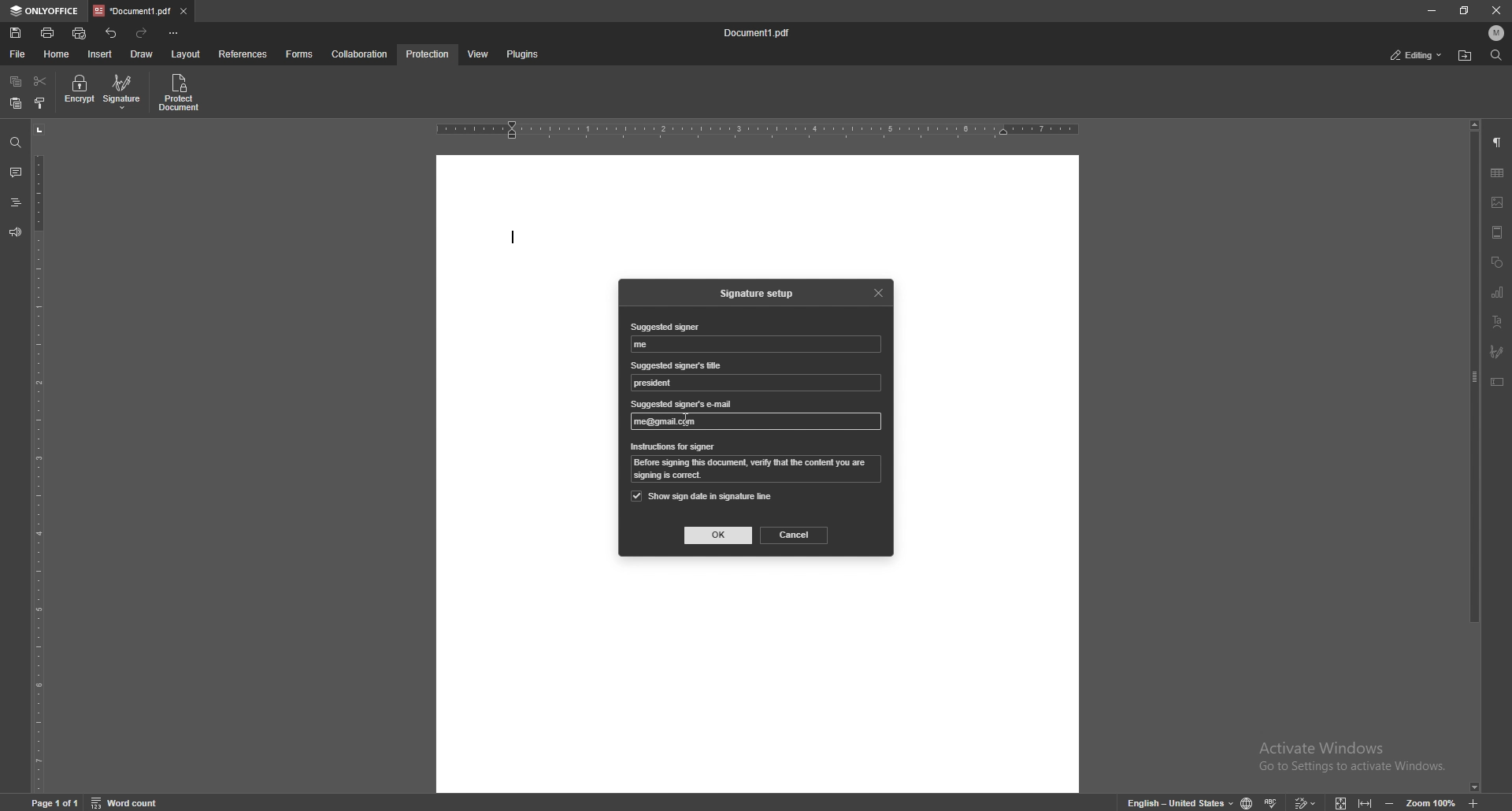 The image size is (1512, 811). What do you see at coordinates (656, 383) in the screenshot?
I see `suggested signer's title` at bounding box center [656, 383].